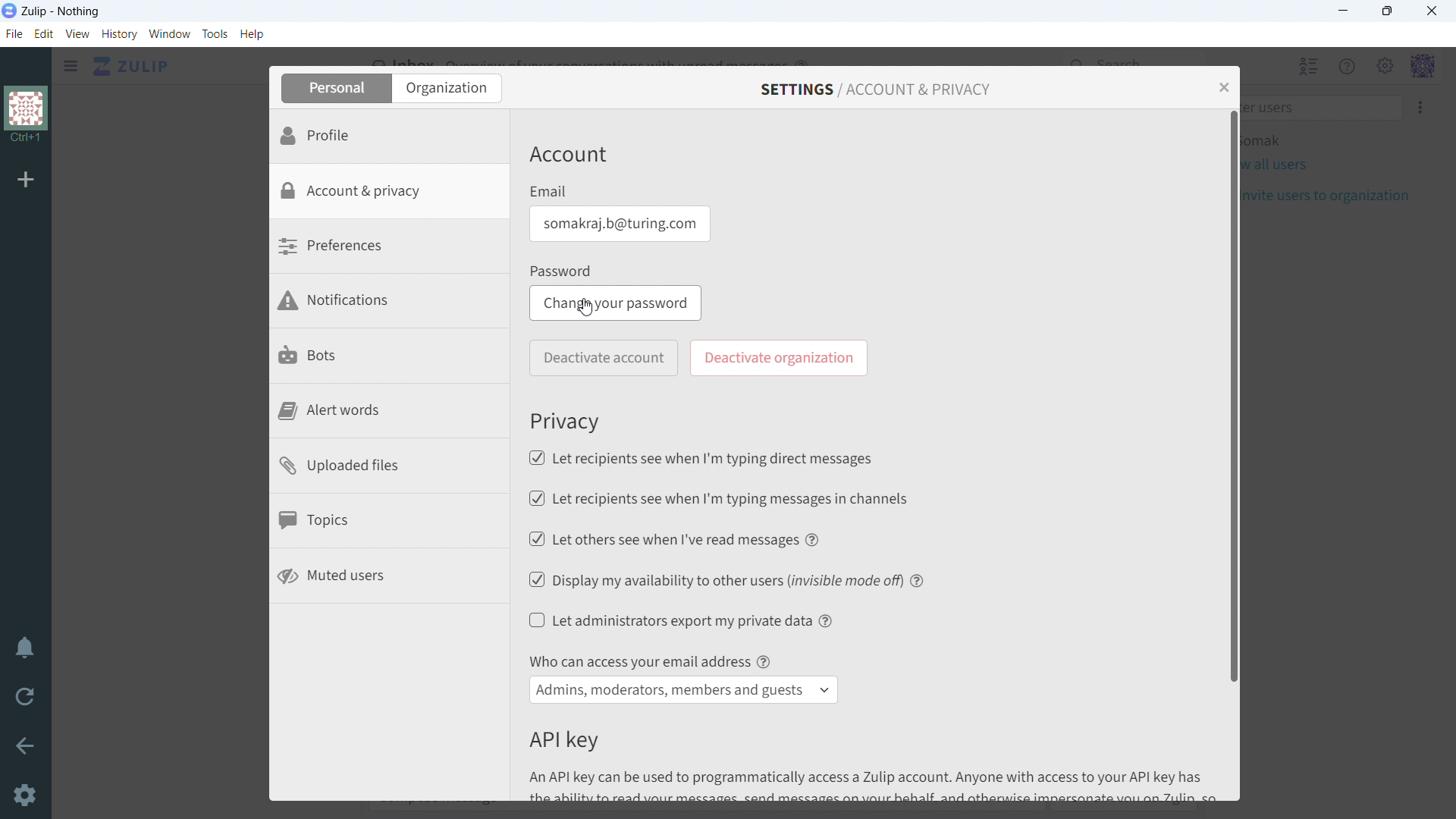  I want to click on Account, so click(569, 156).